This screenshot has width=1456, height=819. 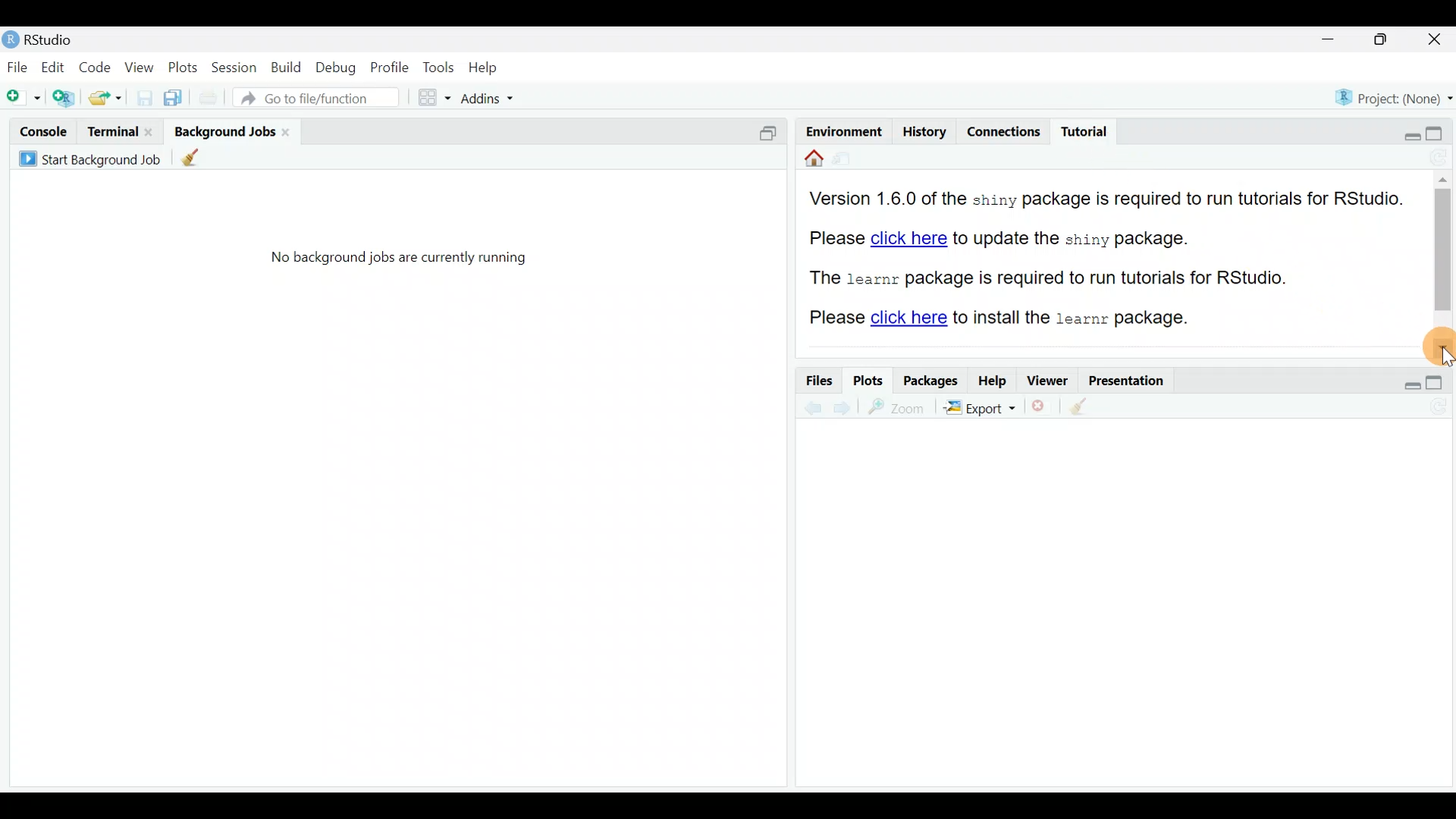 I want to click on No background jobs are currently running, so click(x=406, y=262).